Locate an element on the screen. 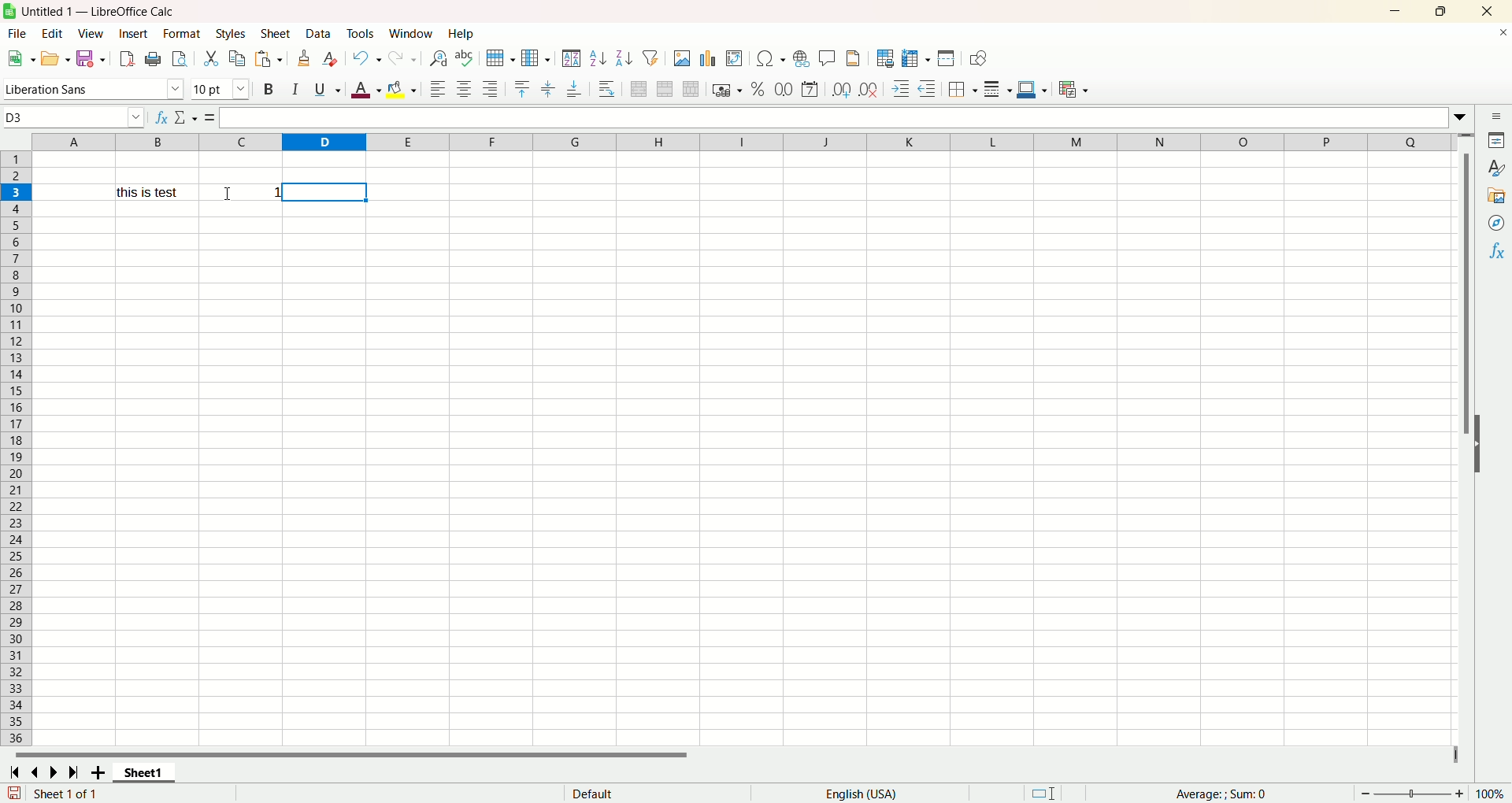 This screenshot has height=803, width=1512. Formula output is located at coordinates (241, 192).